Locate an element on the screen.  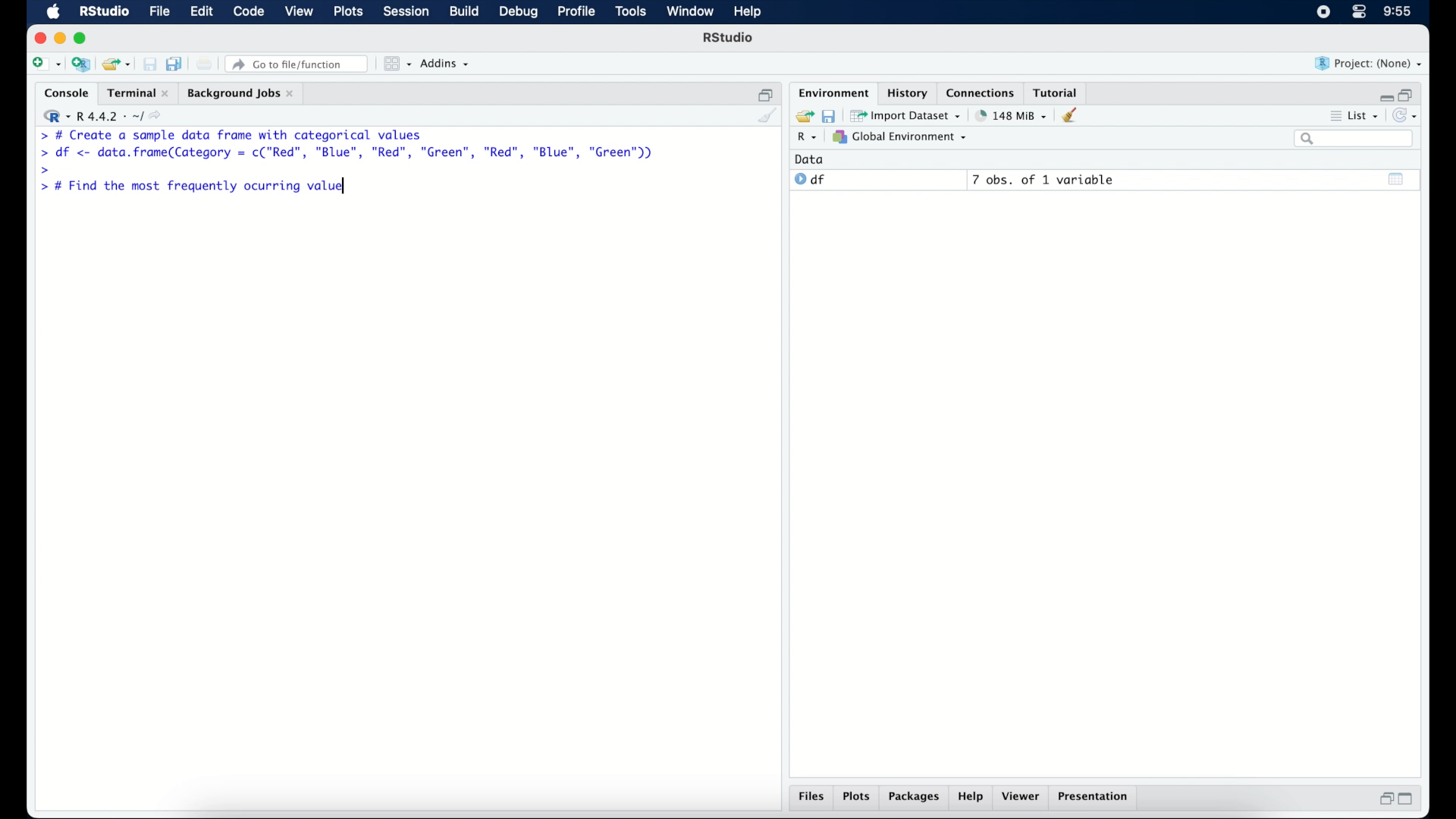
142 MB is located at coordinates (1012, 115).